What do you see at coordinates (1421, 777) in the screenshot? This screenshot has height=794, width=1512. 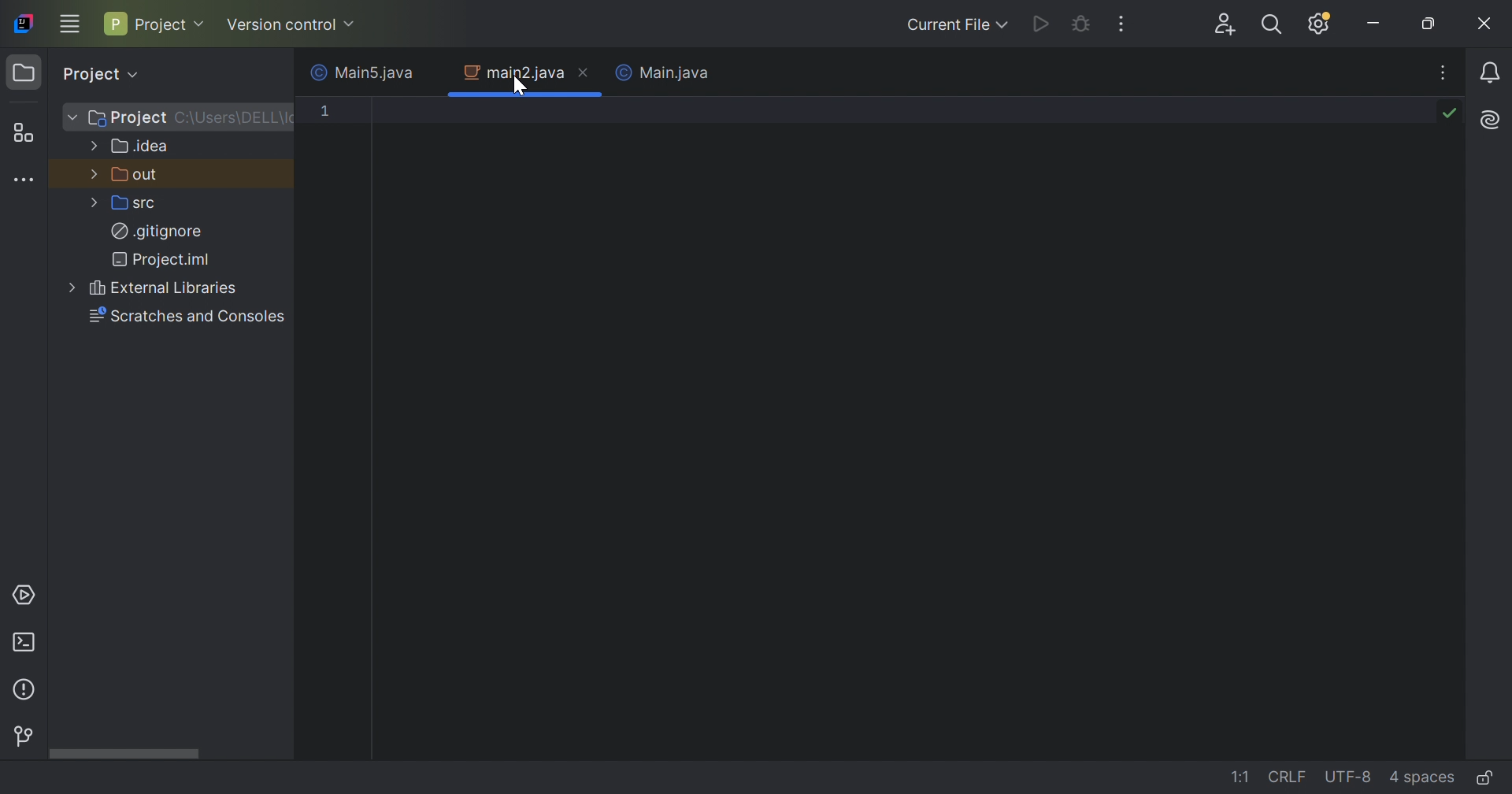 I see `4 spaces` at bounding box center [1421, 777].